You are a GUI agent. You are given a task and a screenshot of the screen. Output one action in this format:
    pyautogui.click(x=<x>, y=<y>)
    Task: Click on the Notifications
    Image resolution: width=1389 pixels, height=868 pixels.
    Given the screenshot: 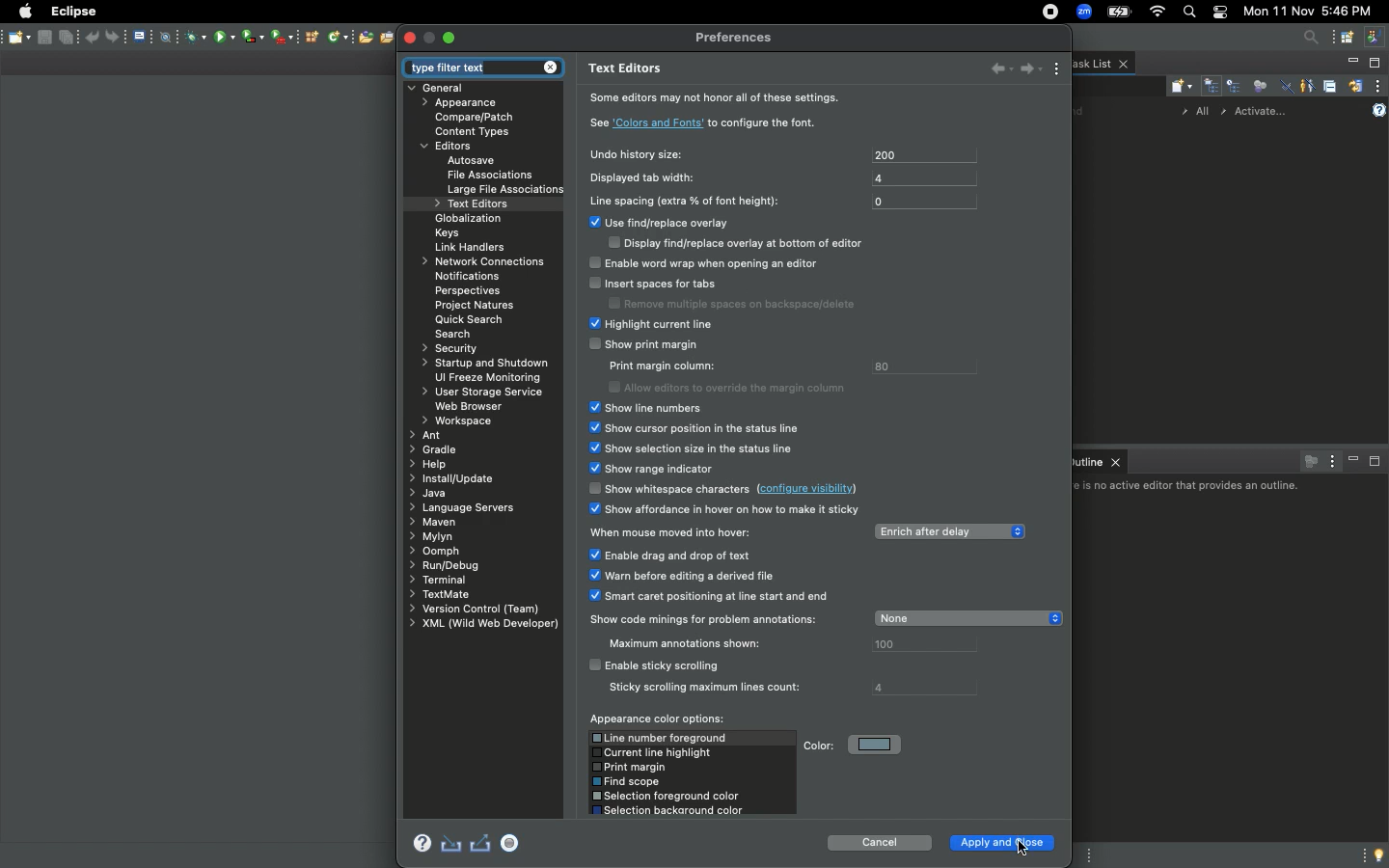 What is the action you would take?
    pyautogui.click(x=470, y=277)
    